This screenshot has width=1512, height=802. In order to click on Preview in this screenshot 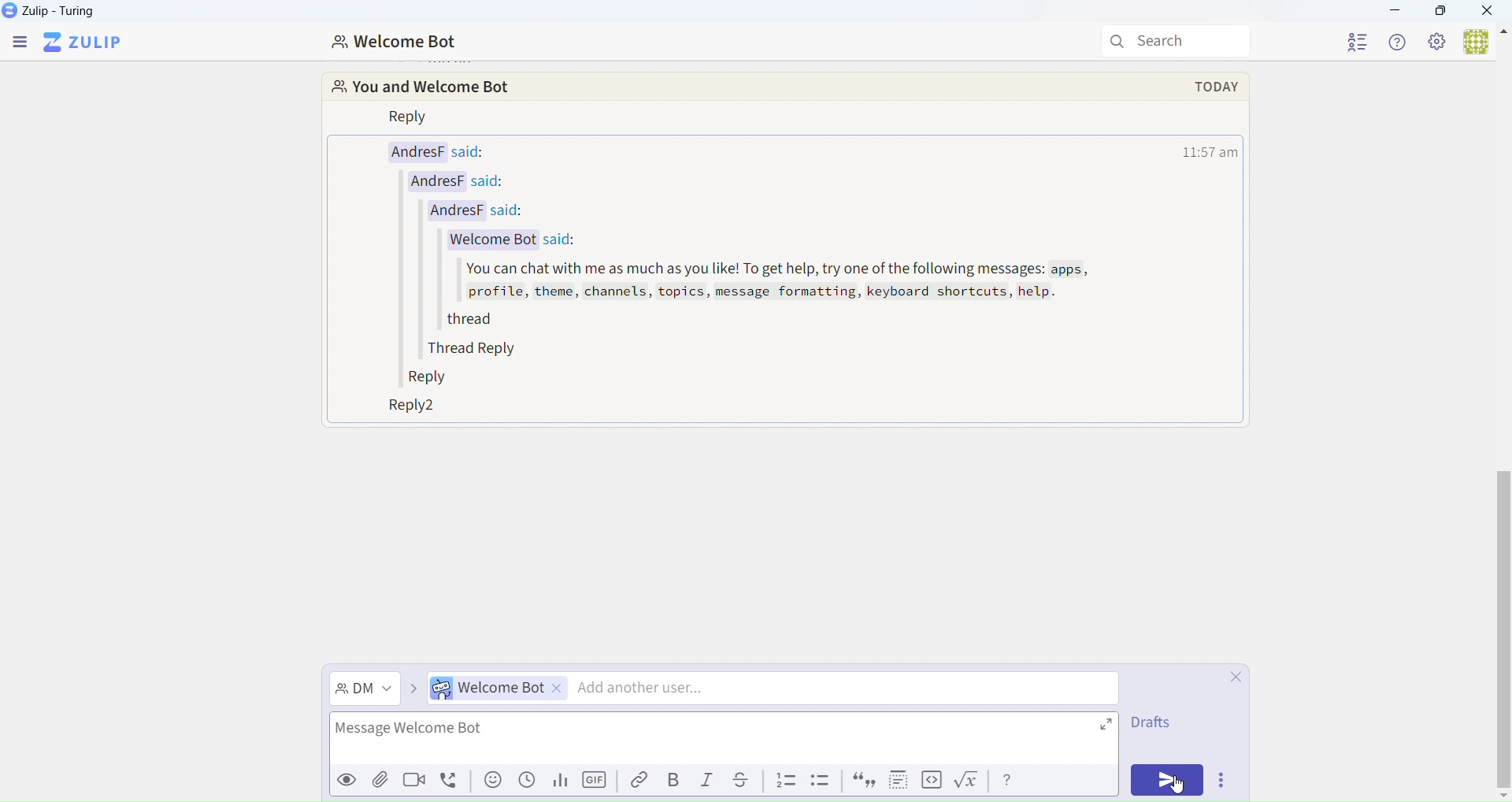, I will do `click(348, 779)`.